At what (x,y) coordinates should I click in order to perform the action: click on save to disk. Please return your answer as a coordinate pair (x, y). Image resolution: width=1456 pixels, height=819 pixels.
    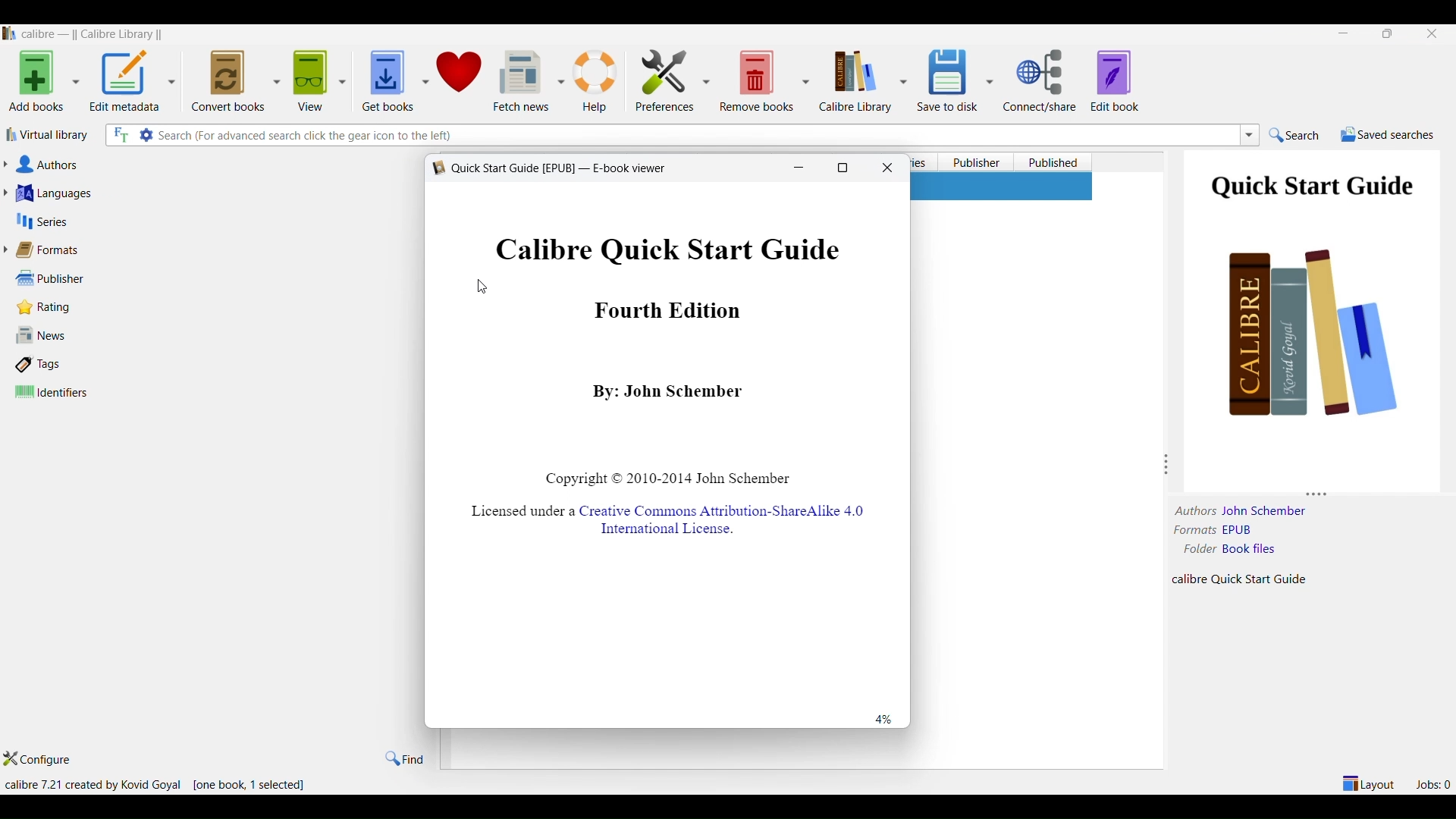
    Looking at the image, I should click on (945, 81).